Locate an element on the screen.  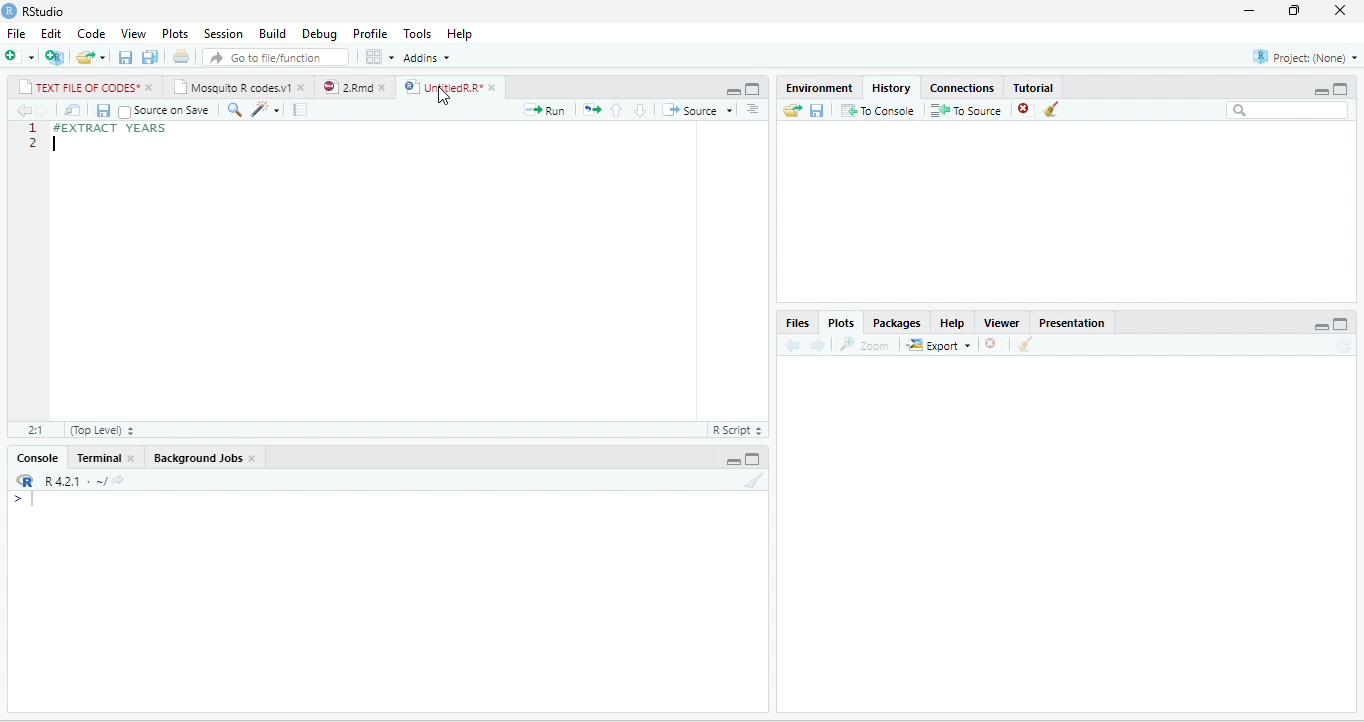
minimize is located at coordinates (1250, 11).